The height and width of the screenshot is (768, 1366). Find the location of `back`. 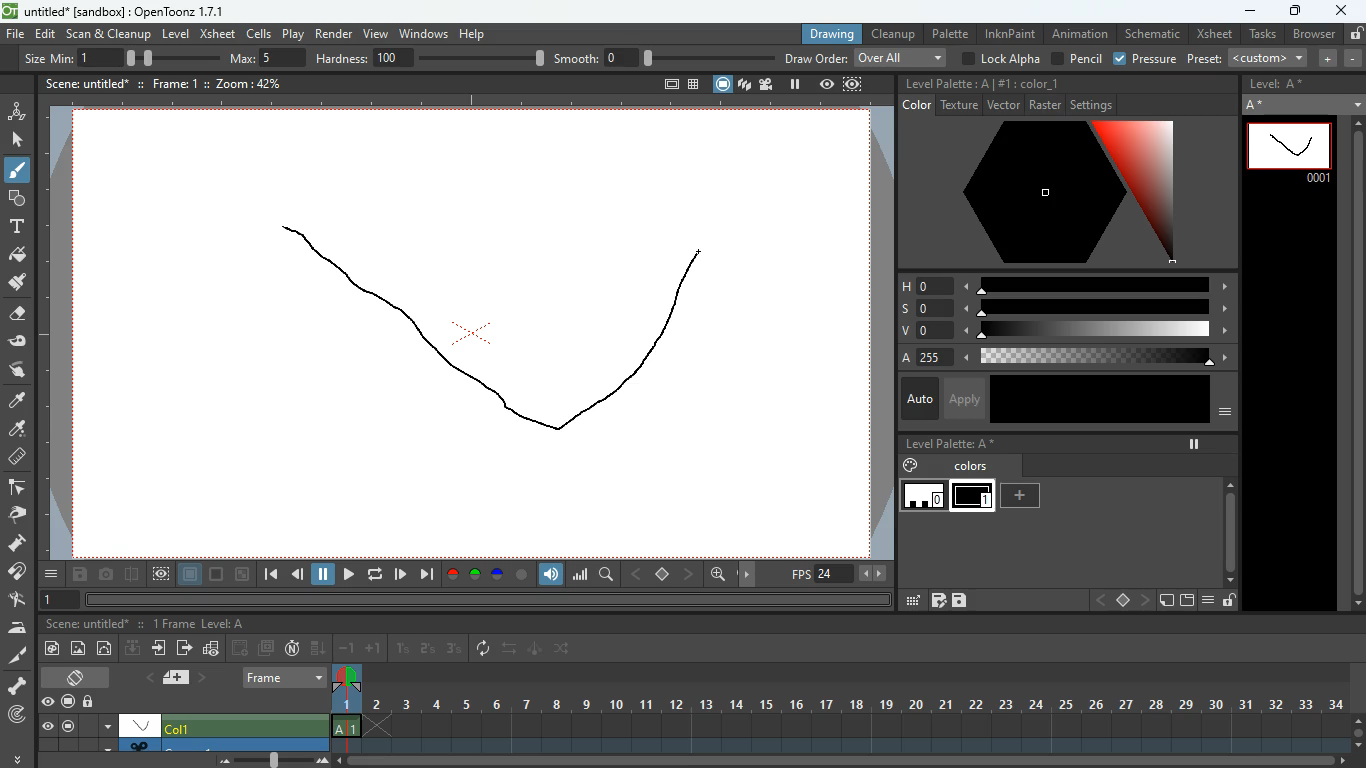

back is located at coordinates (241, 648).